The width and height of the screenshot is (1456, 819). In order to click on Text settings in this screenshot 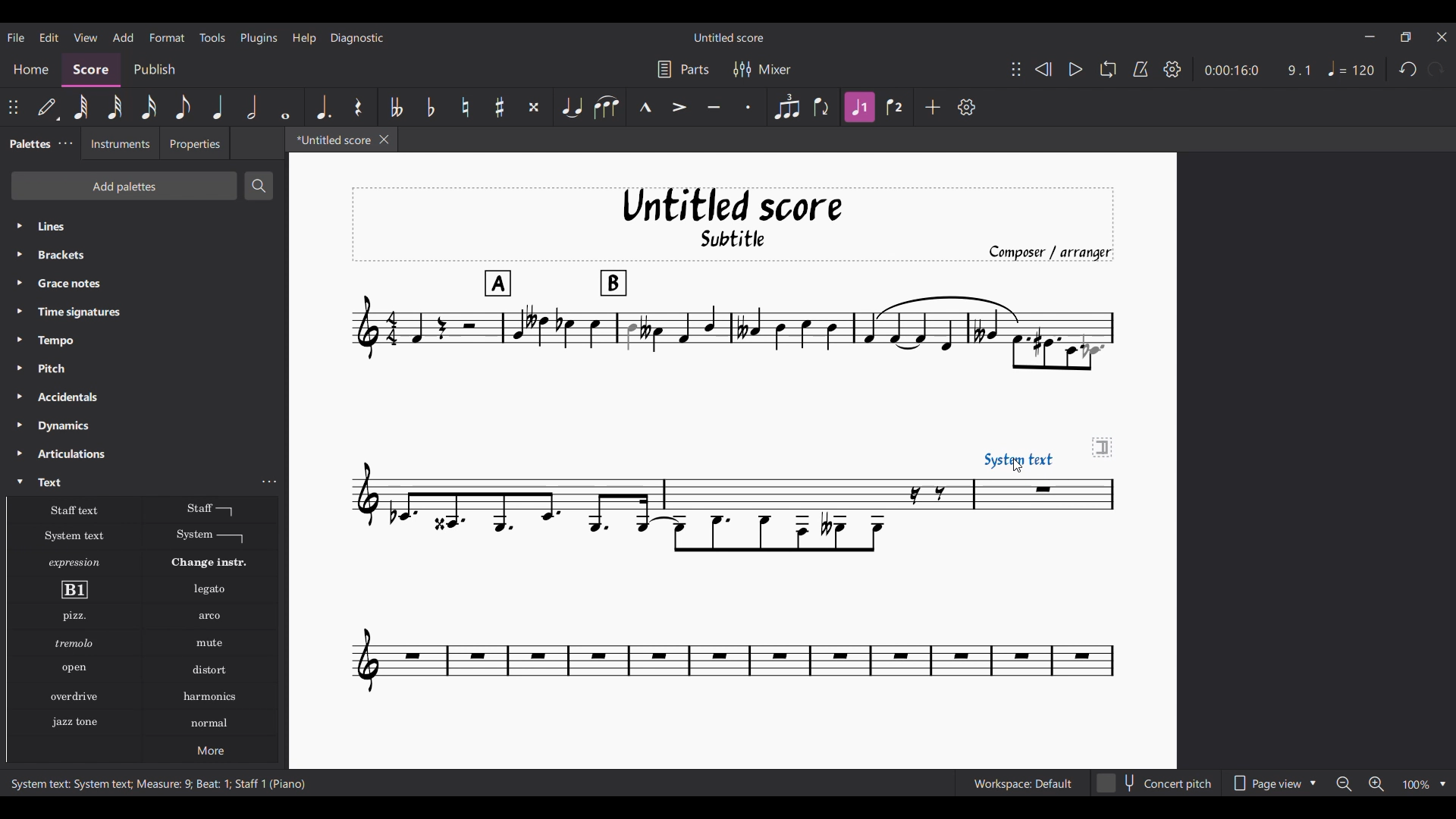, I will do `click(269, 482)`.